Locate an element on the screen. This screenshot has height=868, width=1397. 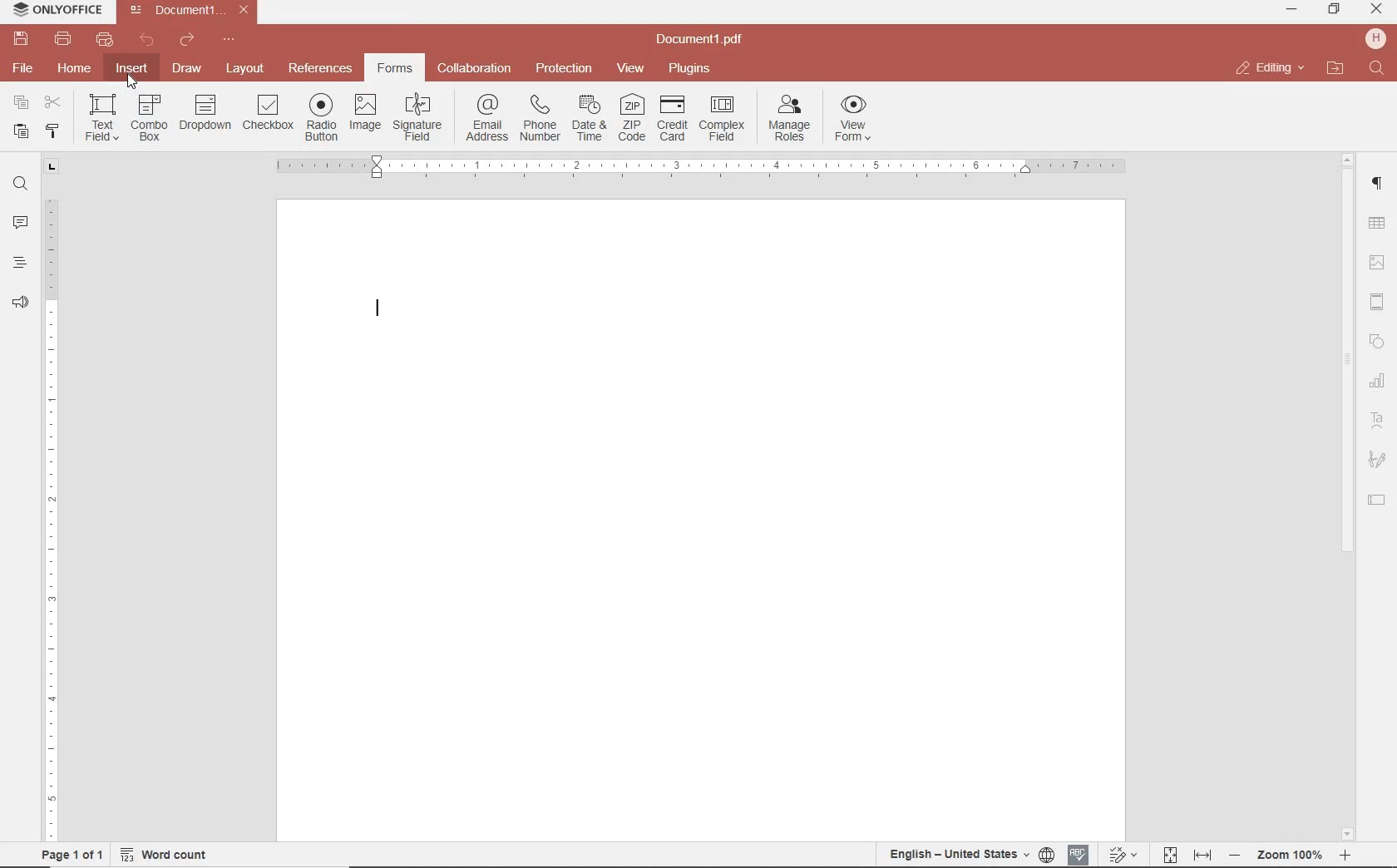
insert signature field is located at coordinates (419, 119).